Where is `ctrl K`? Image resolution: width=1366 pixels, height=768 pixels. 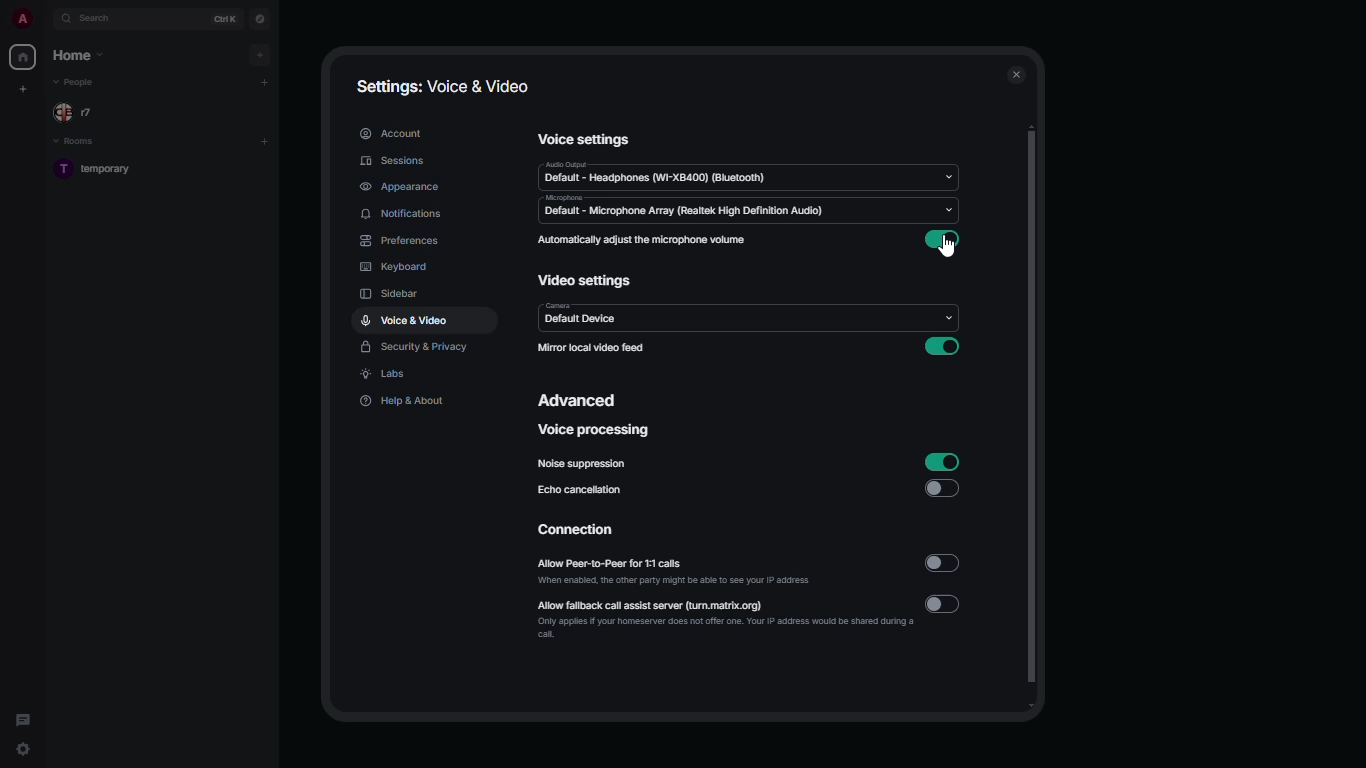 ctrl K is located at coordinates (225, 19).